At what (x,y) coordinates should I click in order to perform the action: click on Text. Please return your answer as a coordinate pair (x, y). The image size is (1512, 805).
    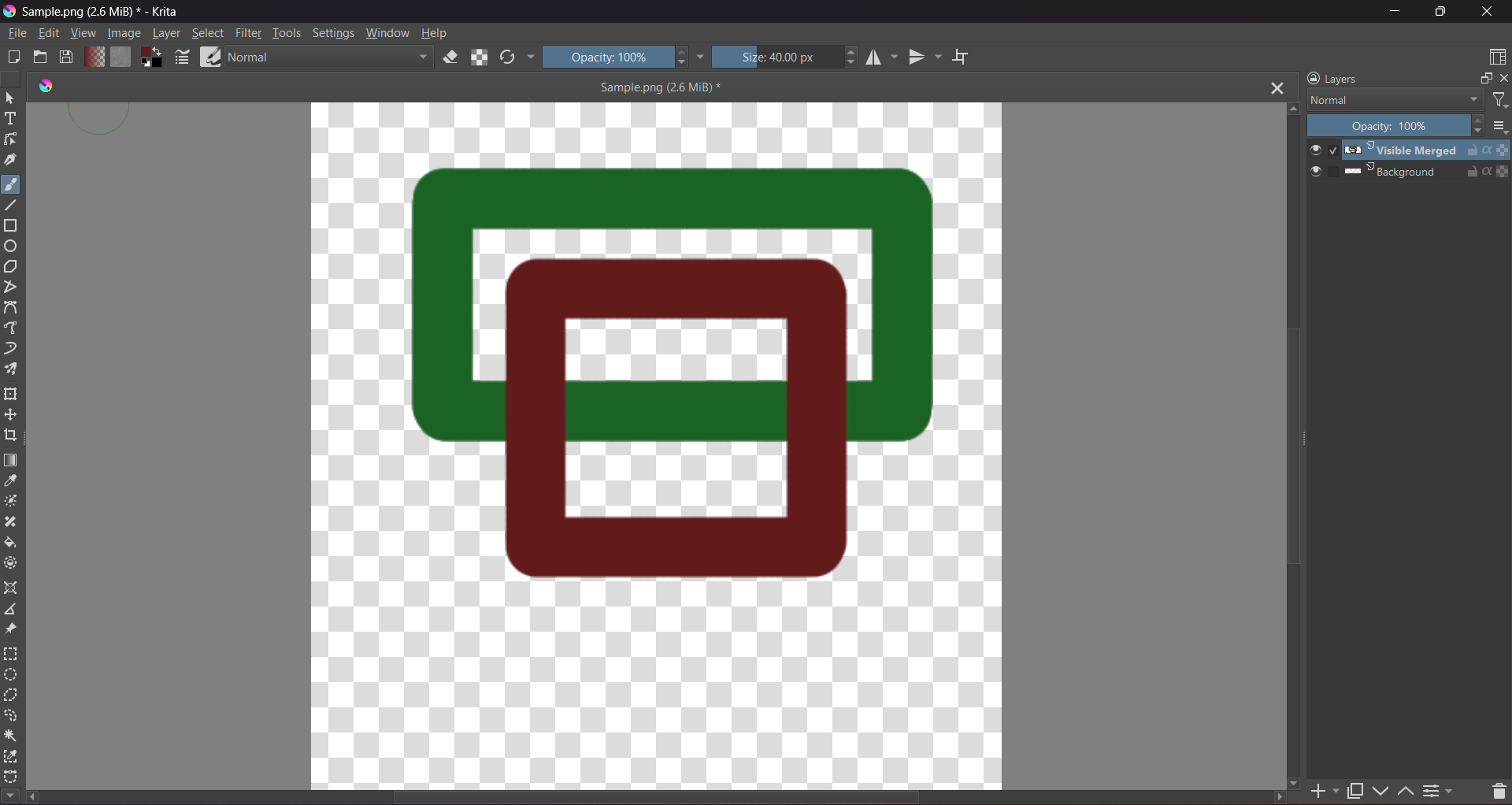
    Looking at the image, I should click on (11, 121).